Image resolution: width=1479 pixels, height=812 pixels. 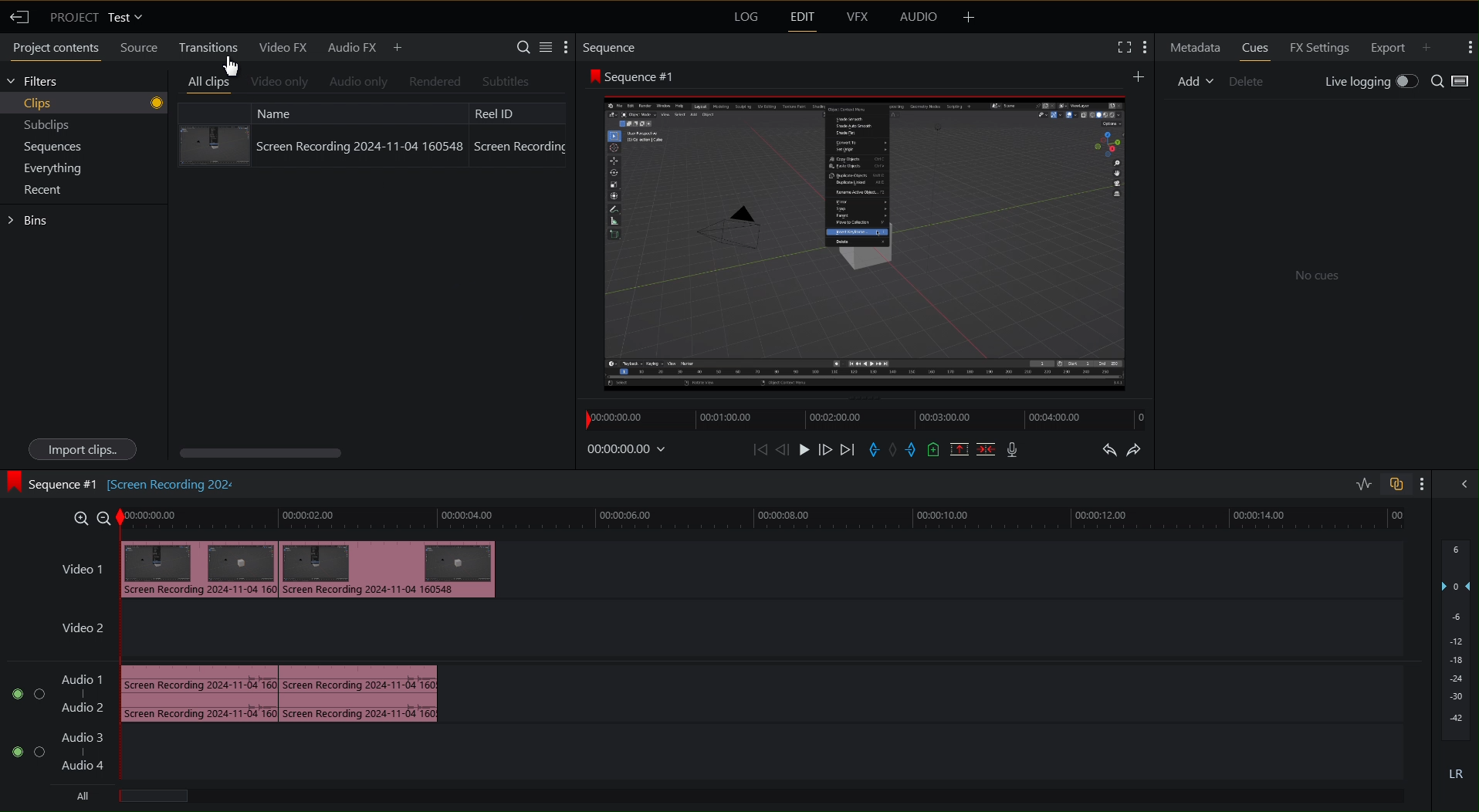 I want to click on Timestamp, so click(x=630, y=449).